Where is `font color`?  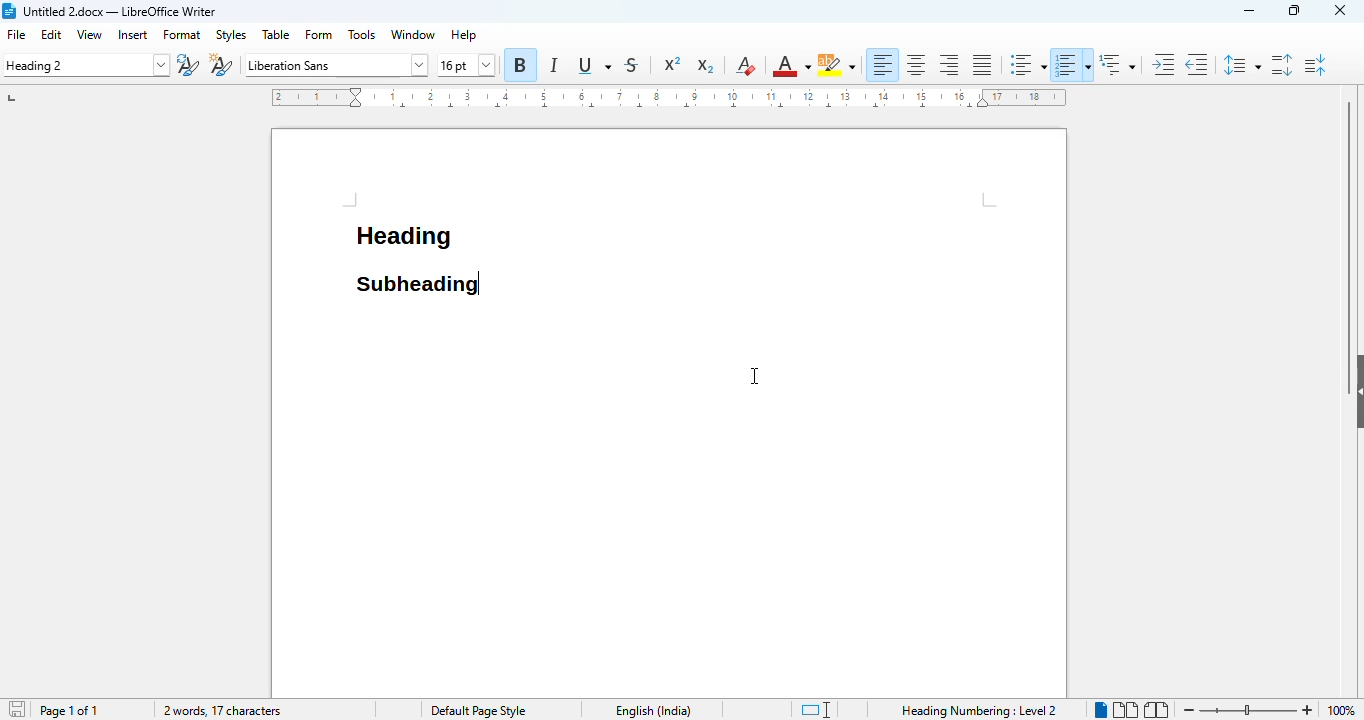
font color is located at coordinates (791, 65).